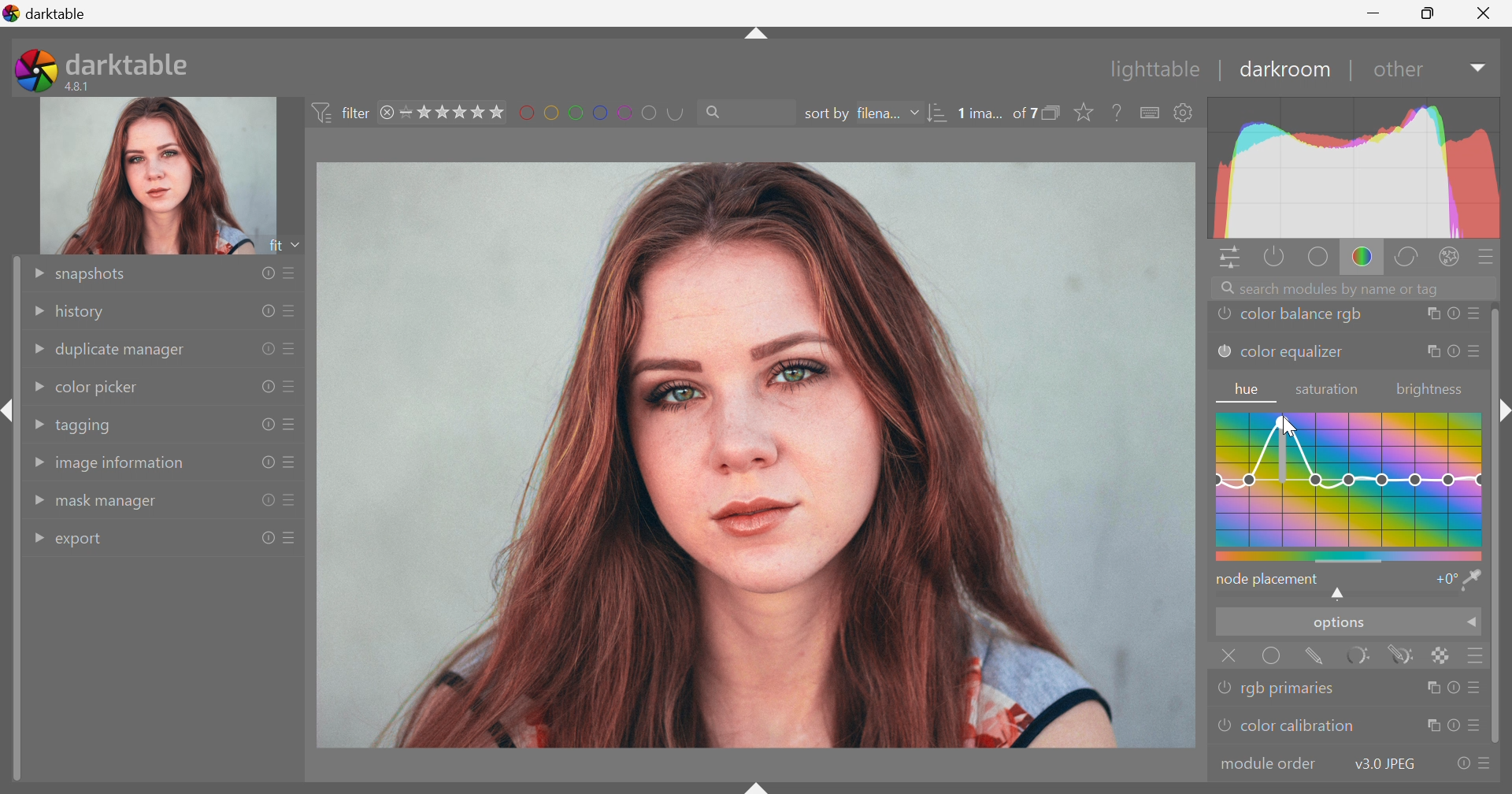  What do you see at coordinates (95, 274) in the screenshot?
I see `snapshots` at bounding box center [95, 274].